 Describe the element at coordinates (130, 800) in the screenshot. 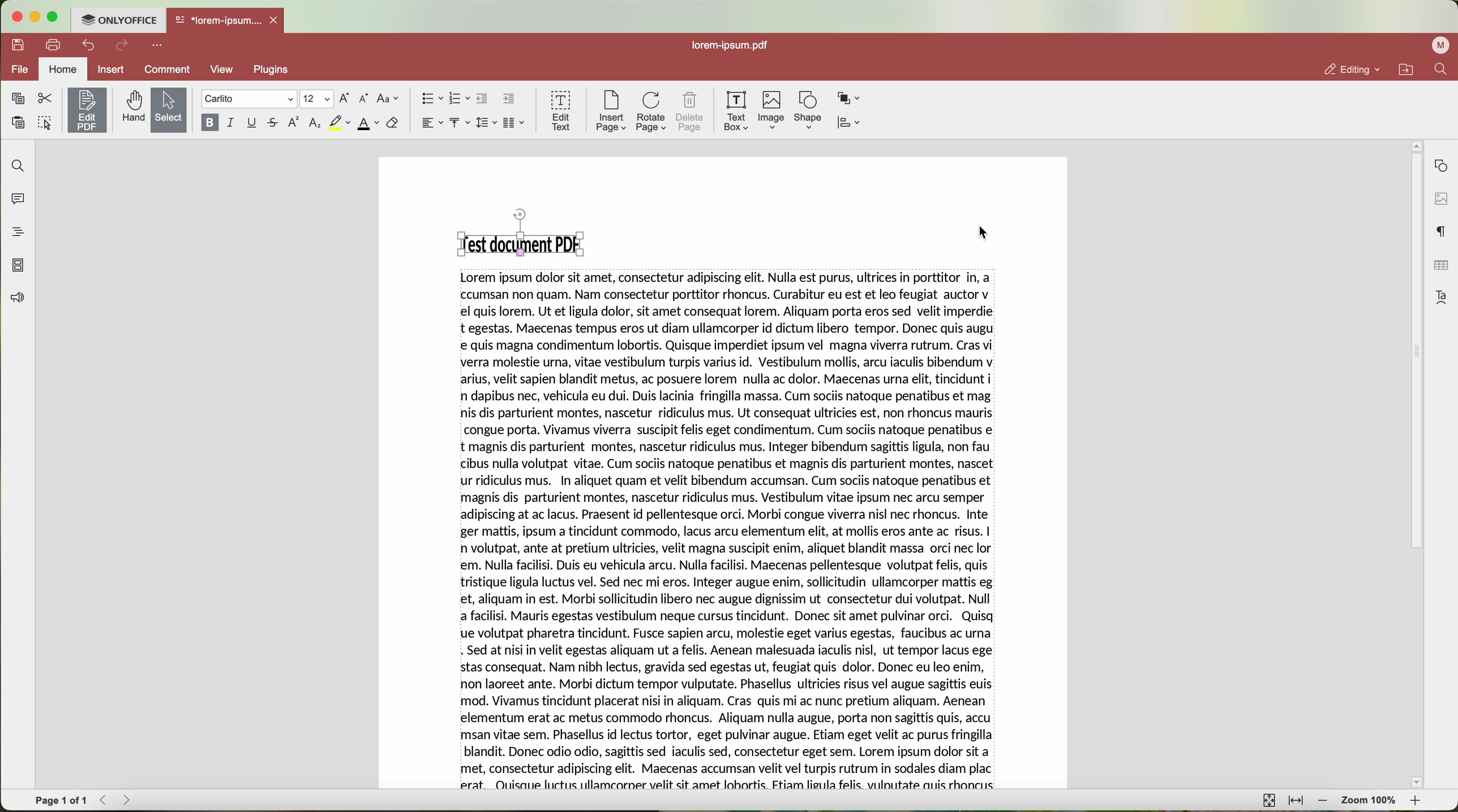

I see `Forward` at that location.